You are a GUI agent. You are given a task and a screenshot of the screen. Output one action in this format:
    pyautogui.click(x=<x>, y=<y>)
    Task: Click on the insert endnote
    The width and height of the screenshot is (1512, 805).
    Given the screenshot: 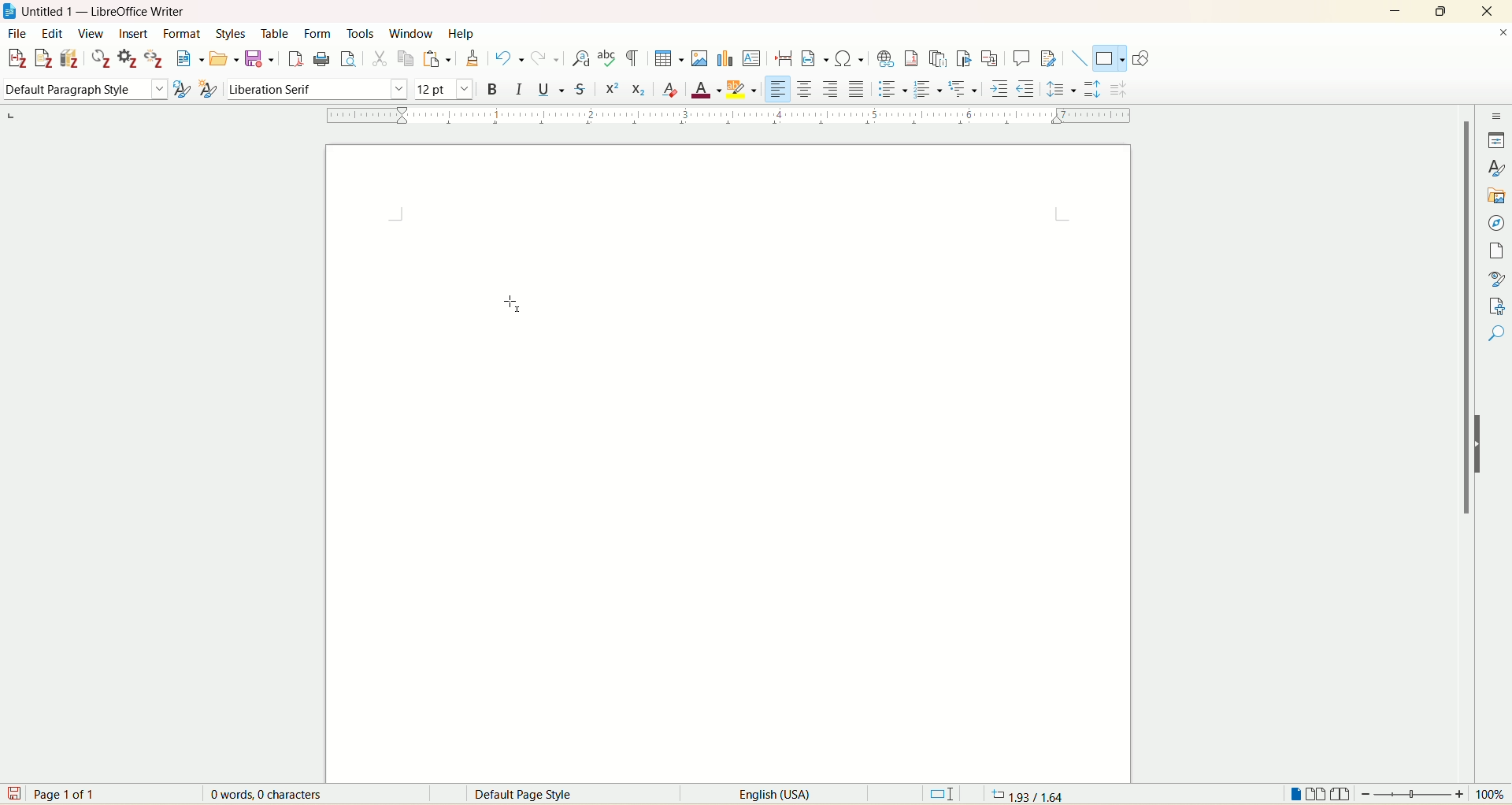 What is the action you would take?
    pyautogui.click(x=941, y=58)
    